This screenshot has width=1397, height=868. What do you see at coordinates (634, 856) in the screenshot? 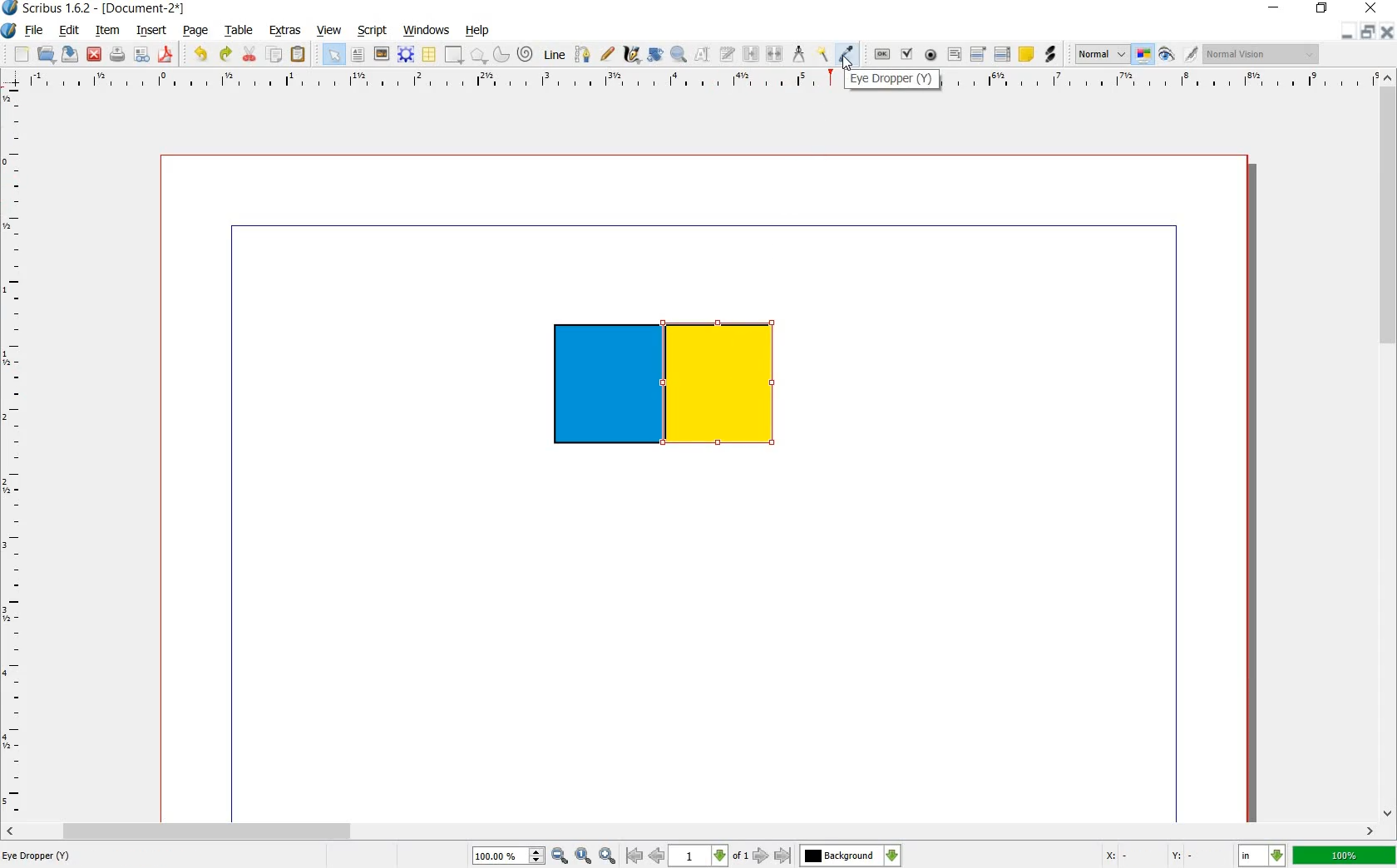
I see `go to first page` at bounding box center [634, 856].